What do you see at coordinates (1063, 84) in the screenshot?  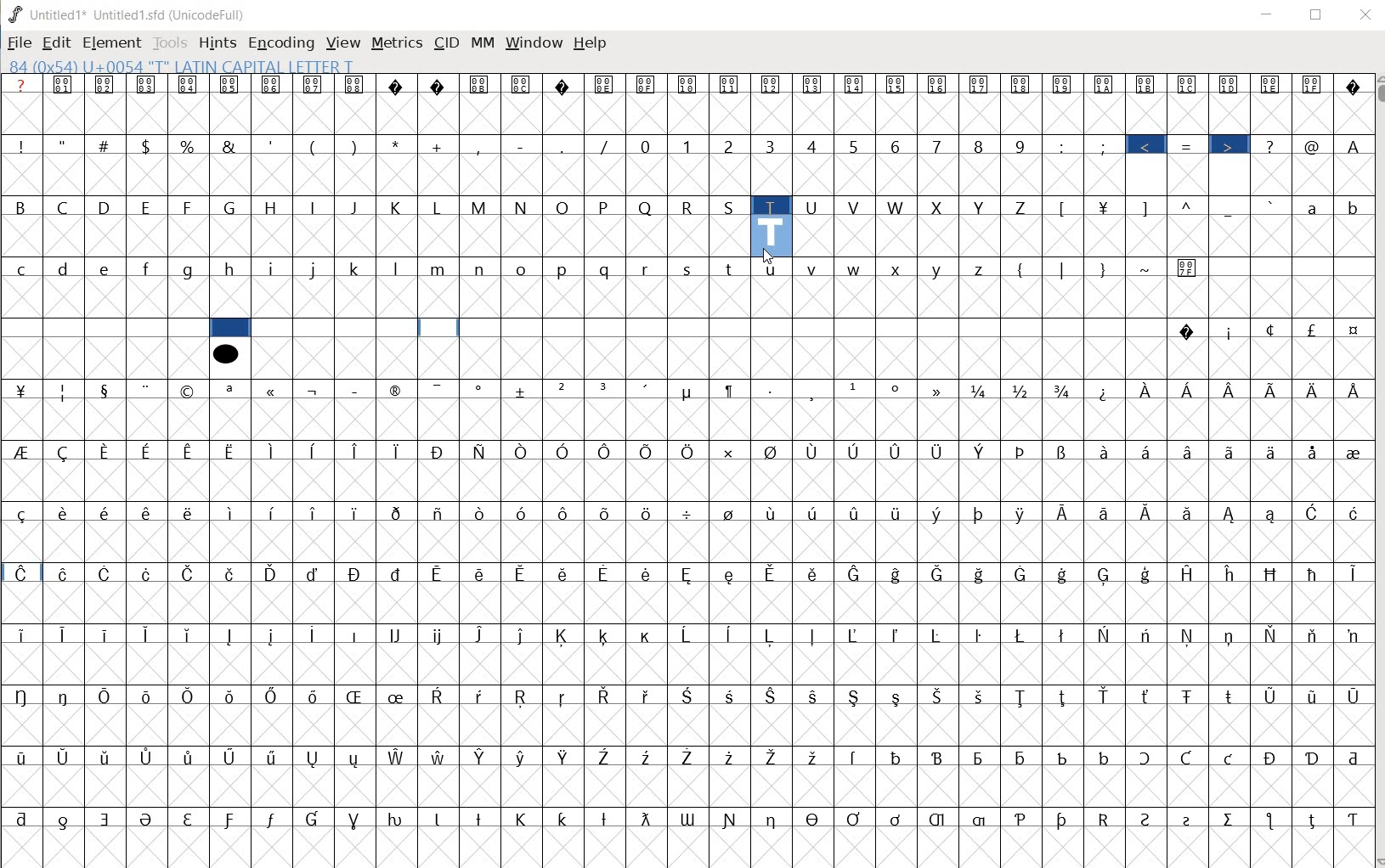 I see `Symbol` at bounding box center [1063, 84].